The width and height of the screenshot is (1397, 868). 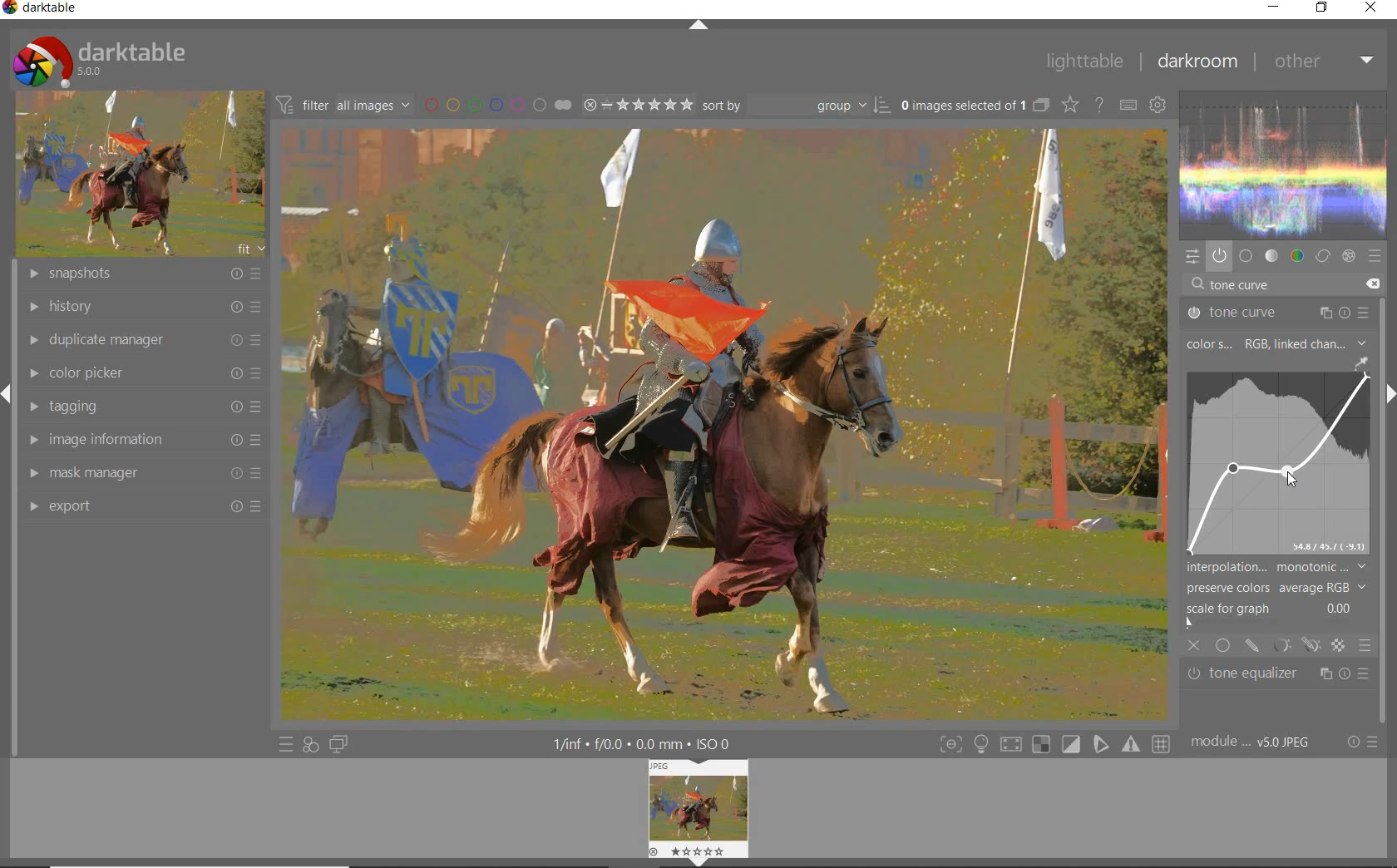 What do you see at coordinates (1255, 742) in the screenshot?
I see `module... v5.0 JPEG` at bounding box center [1255, 742].